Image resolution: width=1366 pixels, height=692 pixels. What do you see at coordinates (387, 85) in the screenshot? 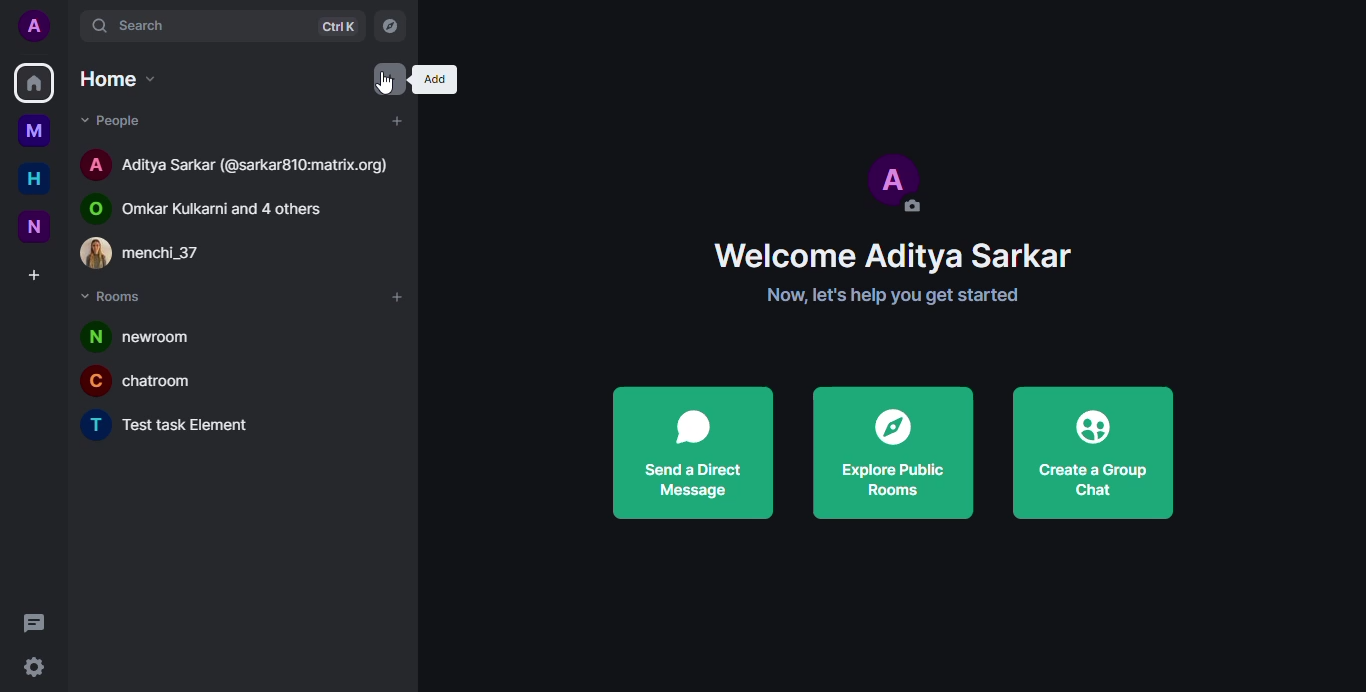
I see `cursor` at bounding box center [387, 85].